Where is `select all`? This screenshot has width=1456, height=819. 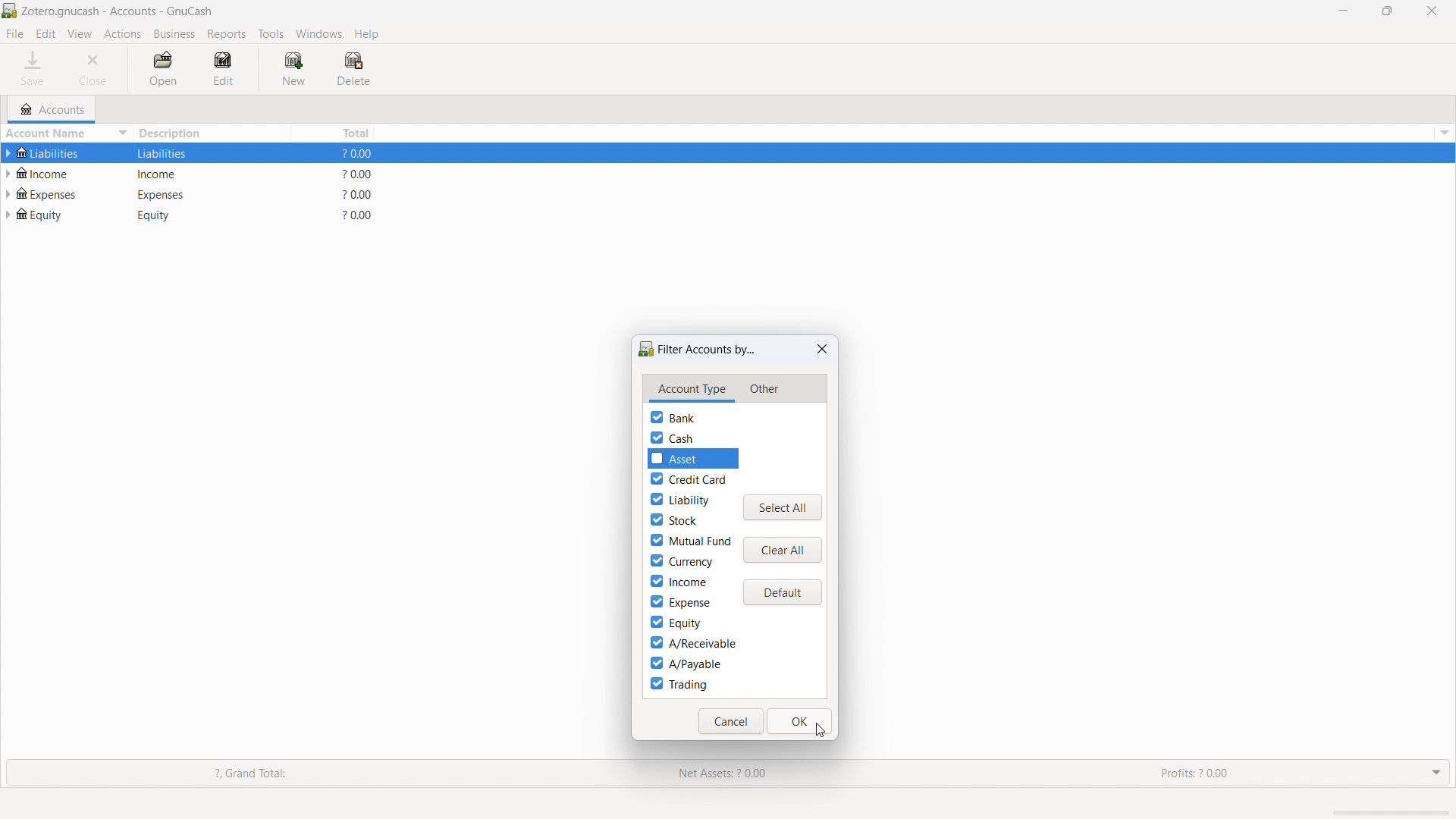 select all is located at coordinates (783, 508).